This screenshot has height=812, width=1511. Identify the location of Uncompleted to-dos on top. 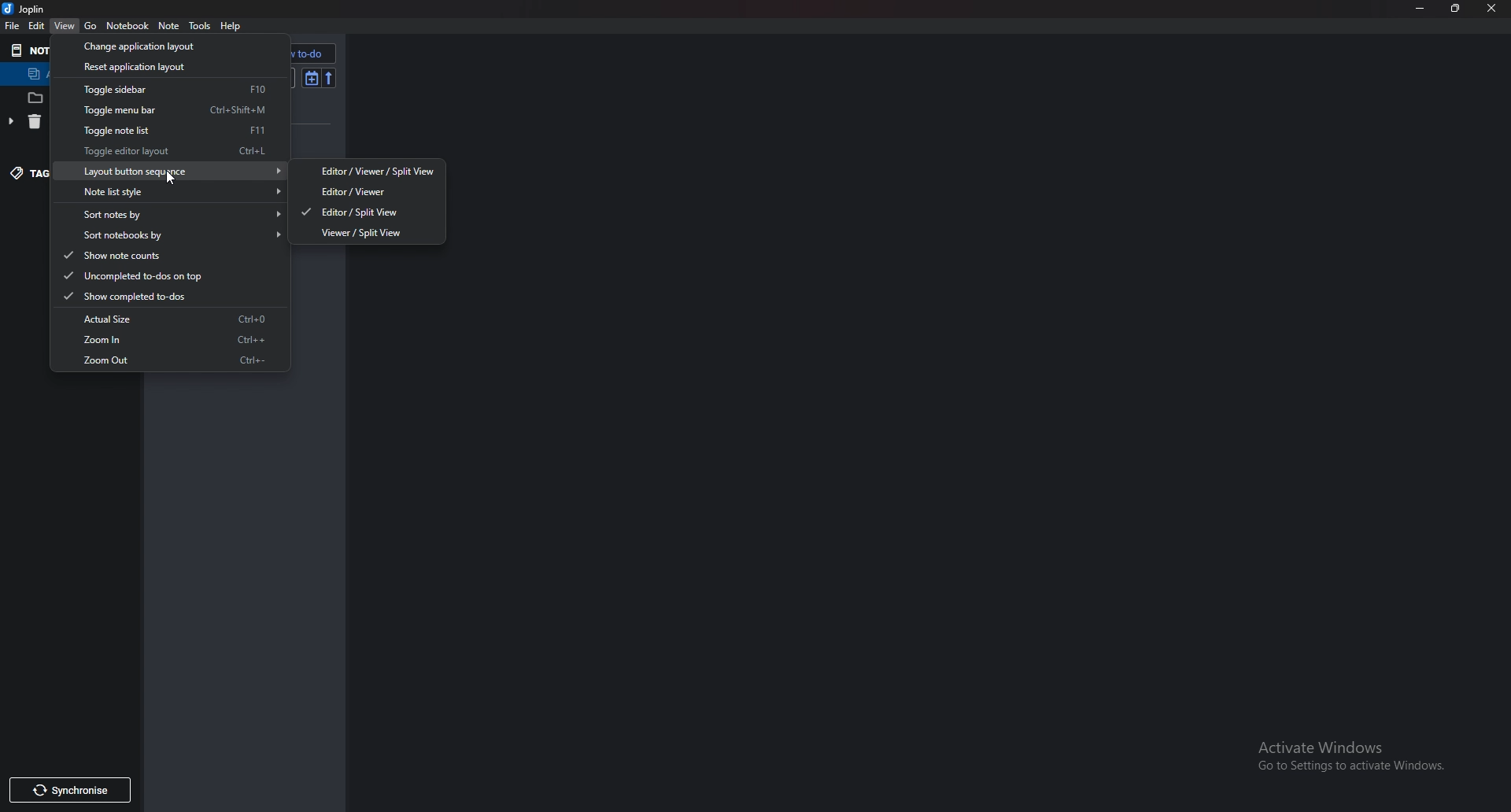
(143, 275).